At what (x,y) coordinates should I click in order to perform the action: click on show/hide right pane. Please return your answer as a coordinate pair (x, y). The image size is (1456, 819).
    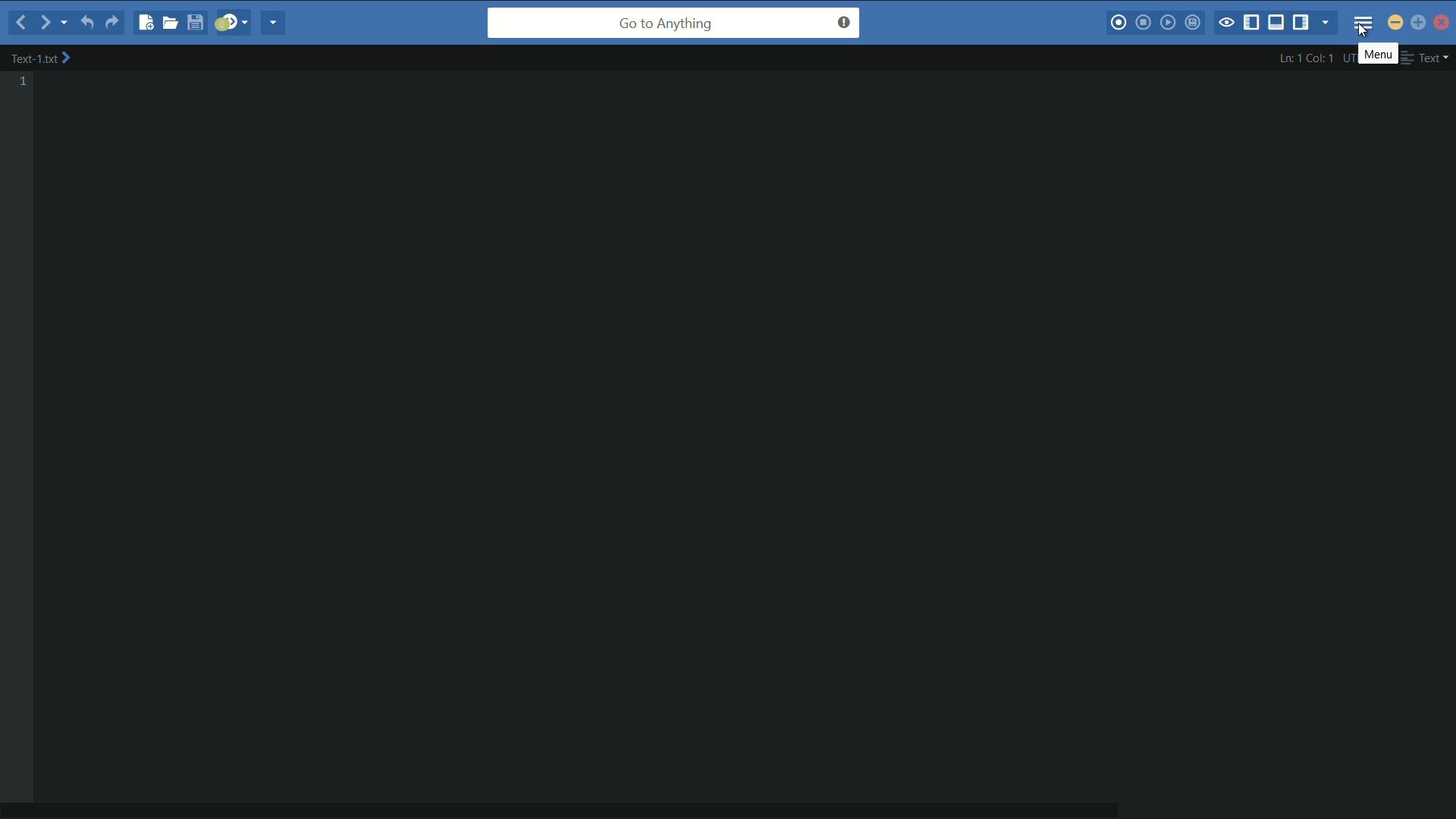
    Looking at the image, I should click on (1301, 23).